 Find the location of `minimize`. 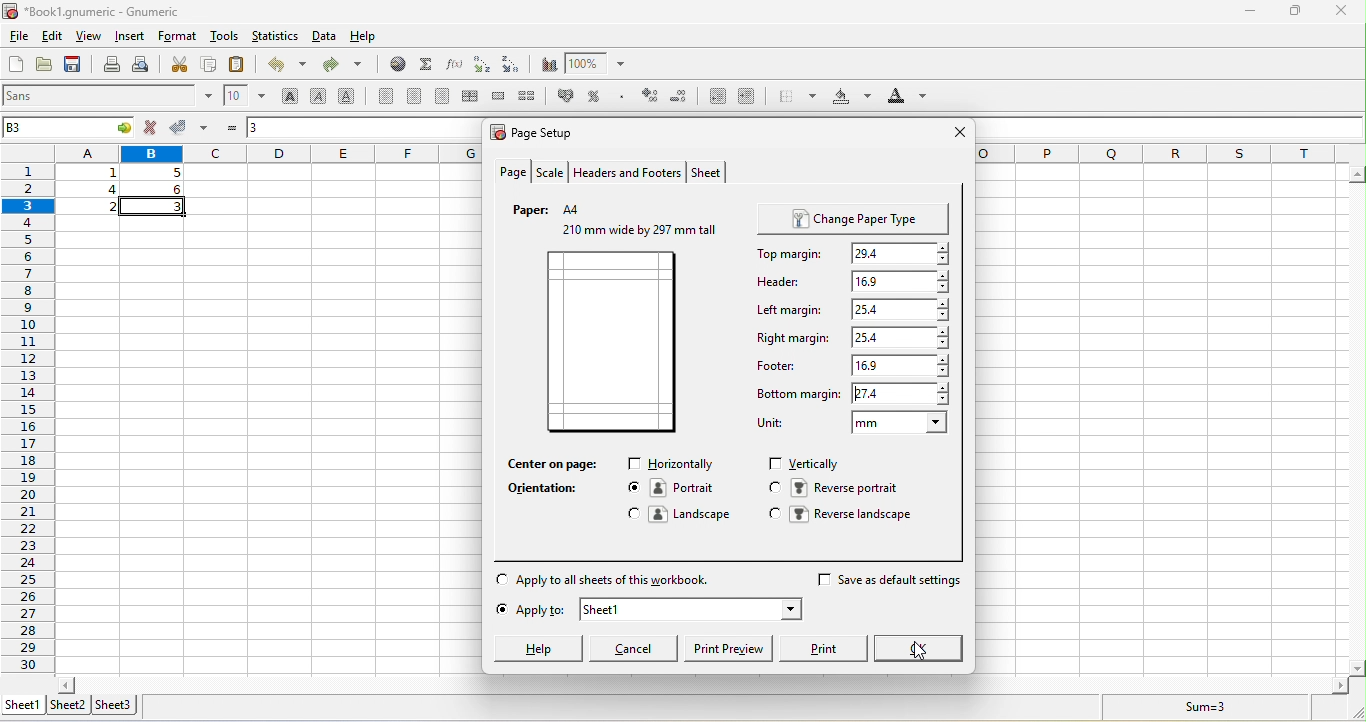

minimize is located at coordinates (1251, 12).